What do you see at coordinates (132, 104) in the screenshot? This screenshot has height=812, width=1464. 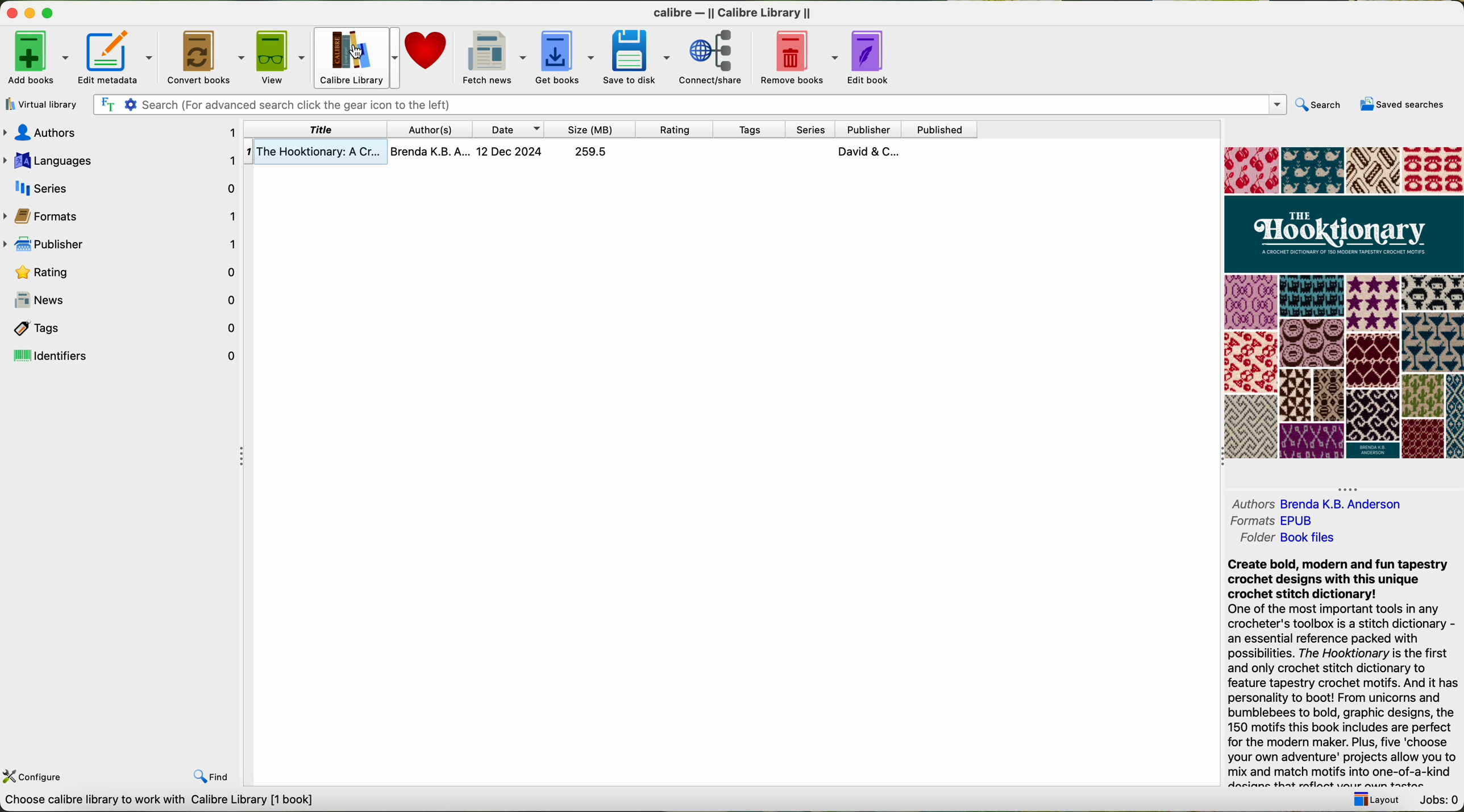 I see `Settings` at bounding box center [132, 104].